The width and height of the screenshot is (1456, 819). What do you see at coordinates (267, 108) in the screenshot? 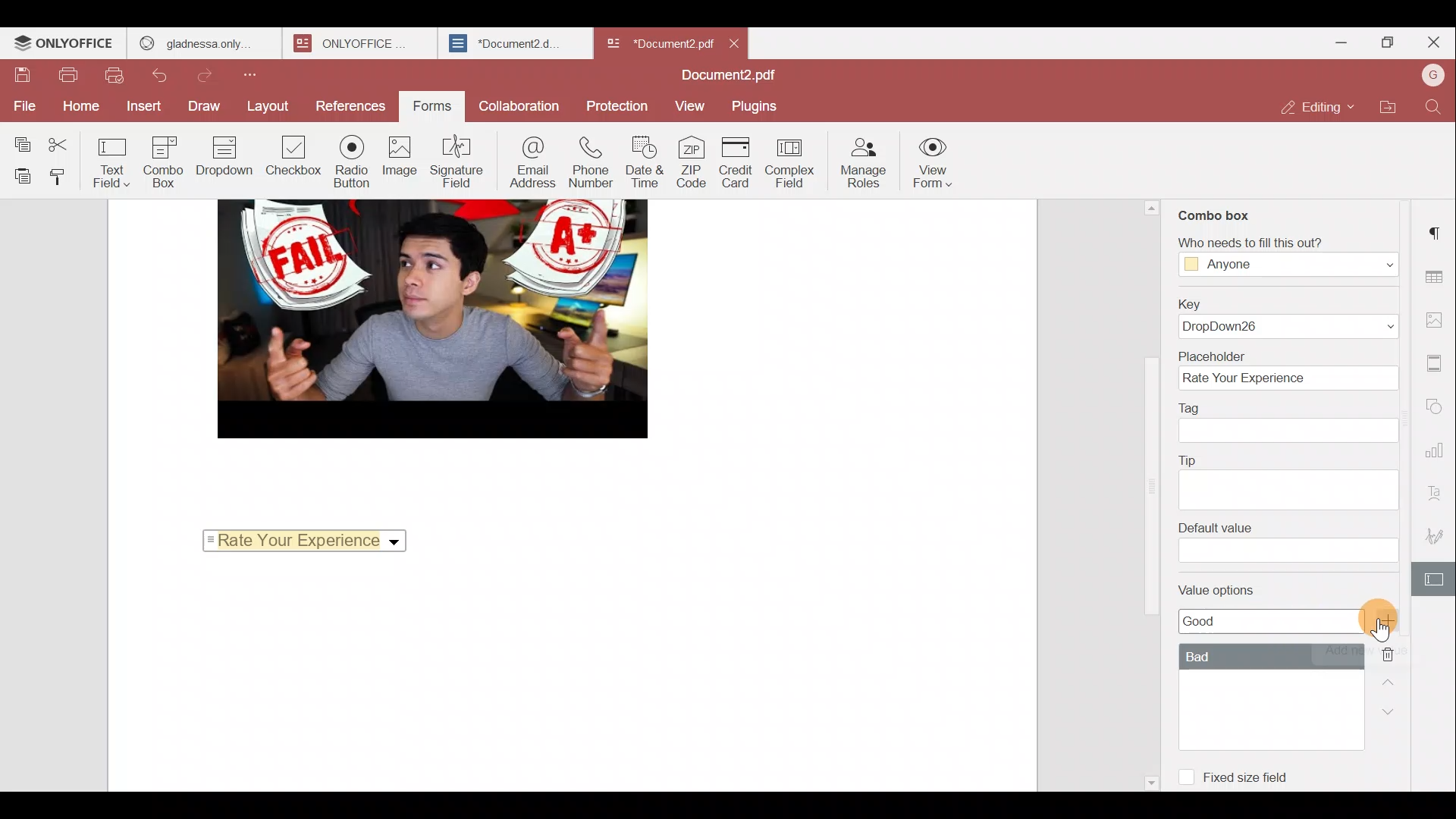
I see `Layout` at bounding box center [267, 108].